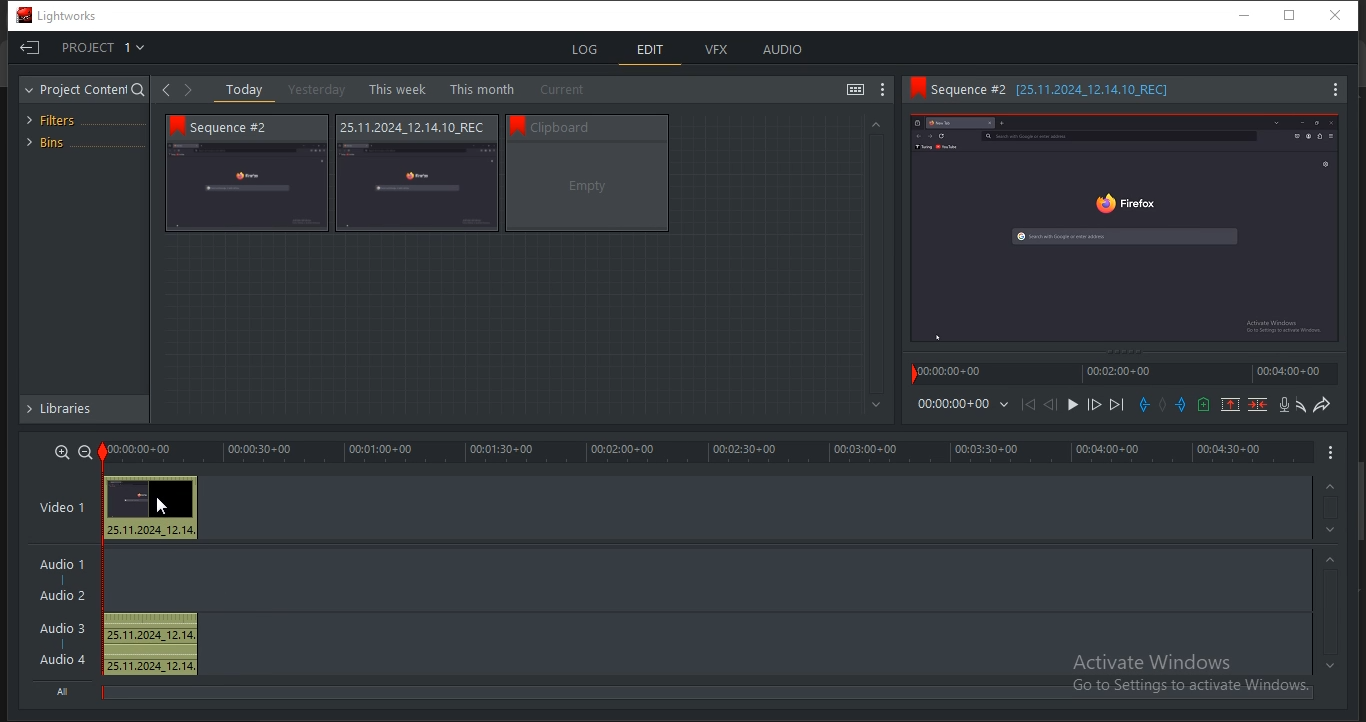 Image resolution: width=1366 pixels, height=722 pixels. I want to click on timeline navigation up arrow, so click(1330, 486).